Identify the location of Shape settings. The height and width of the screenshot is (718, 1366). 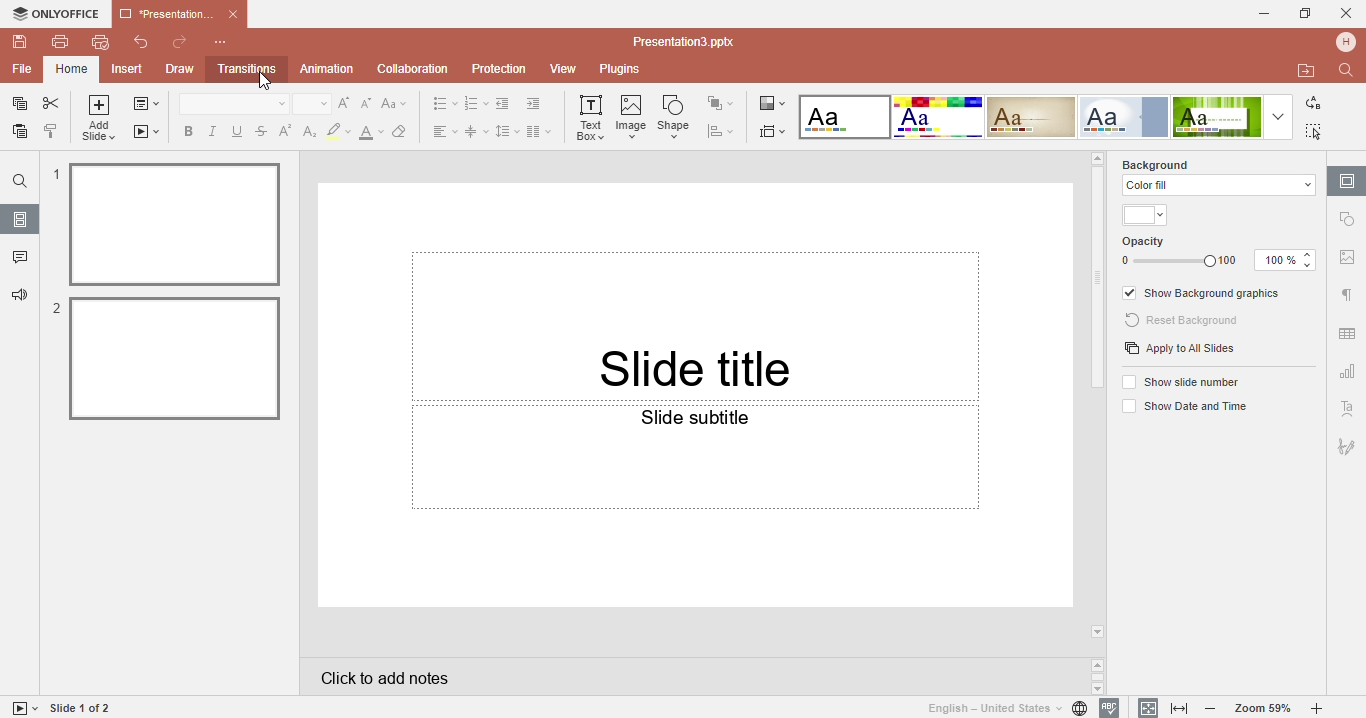
(1349, 219).